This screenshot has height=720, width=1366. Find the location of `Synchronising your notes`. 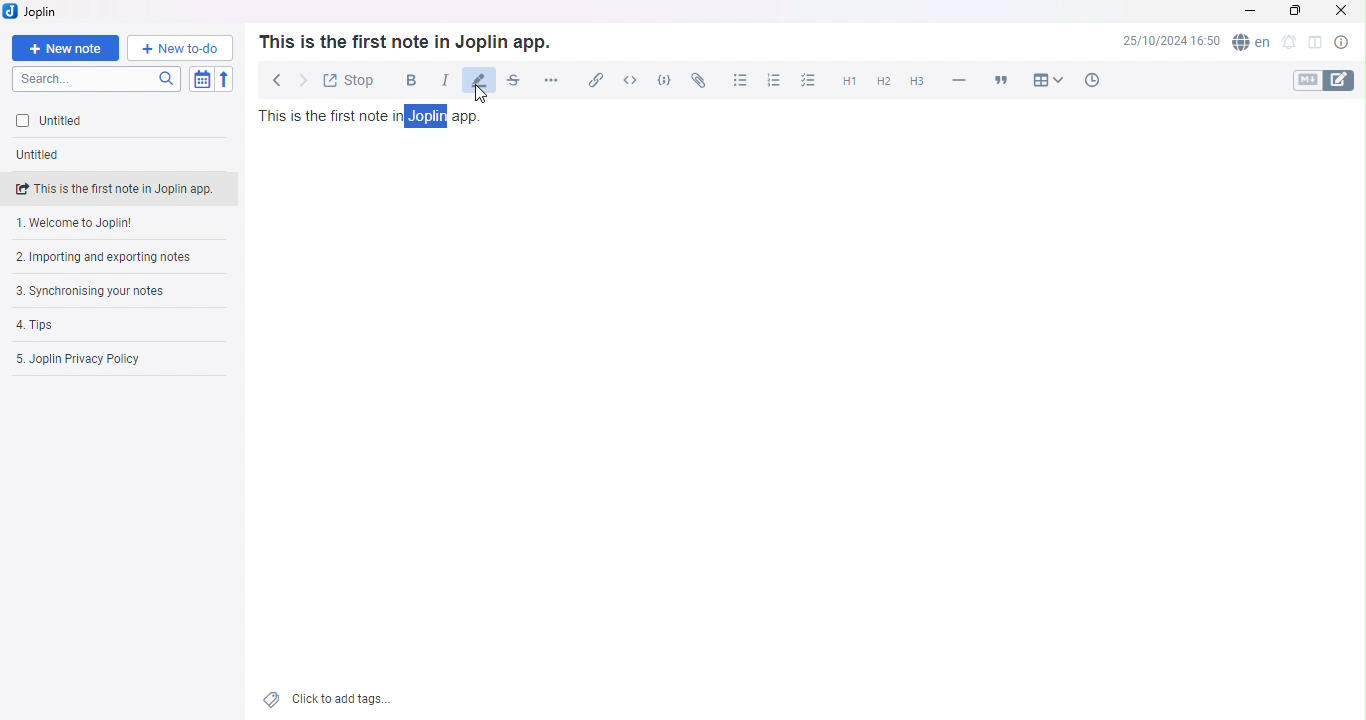

Synchronising your notes is located at coordinates (103, 290).